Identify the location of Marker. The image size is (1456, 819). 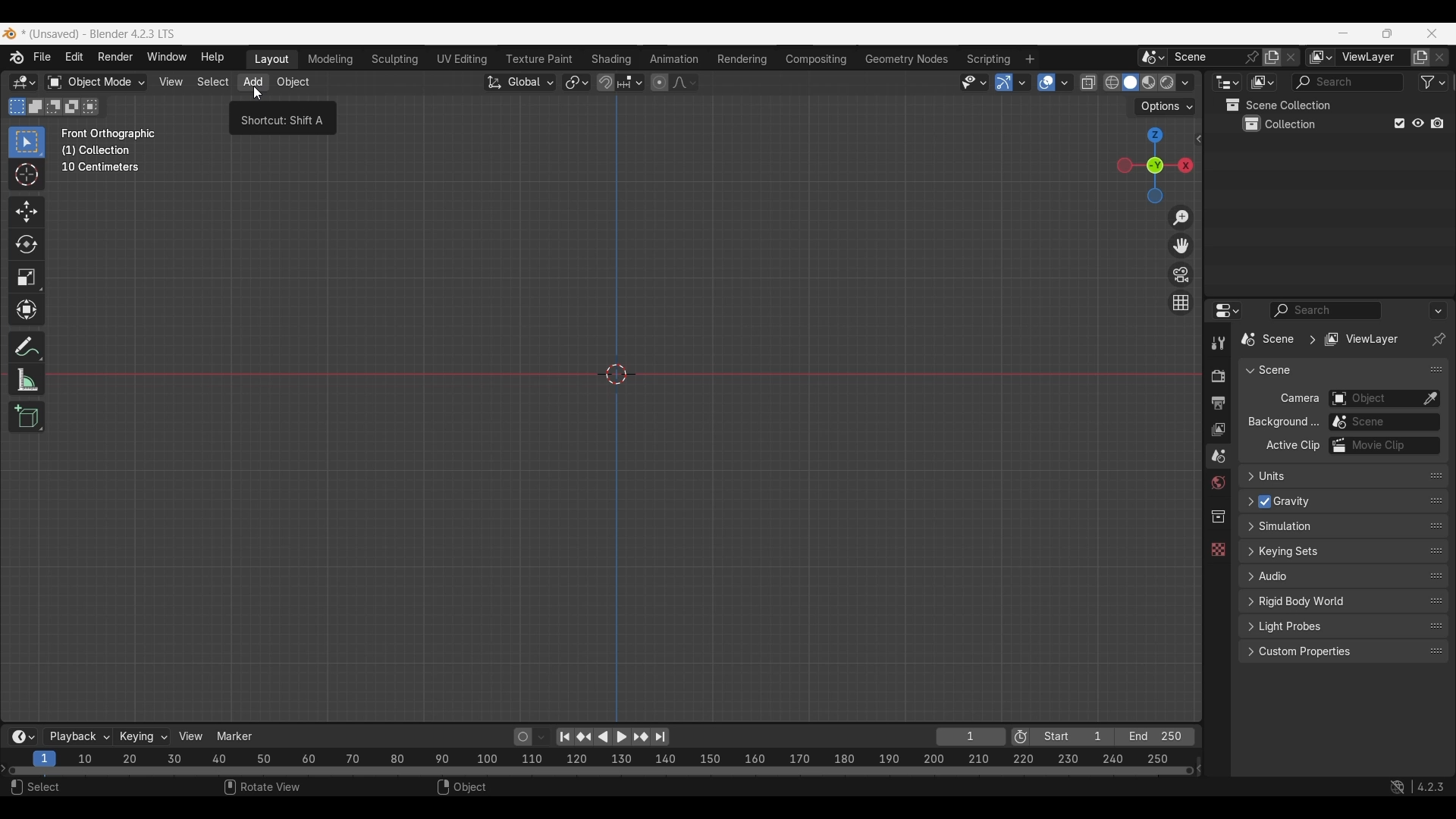
(235, 736).